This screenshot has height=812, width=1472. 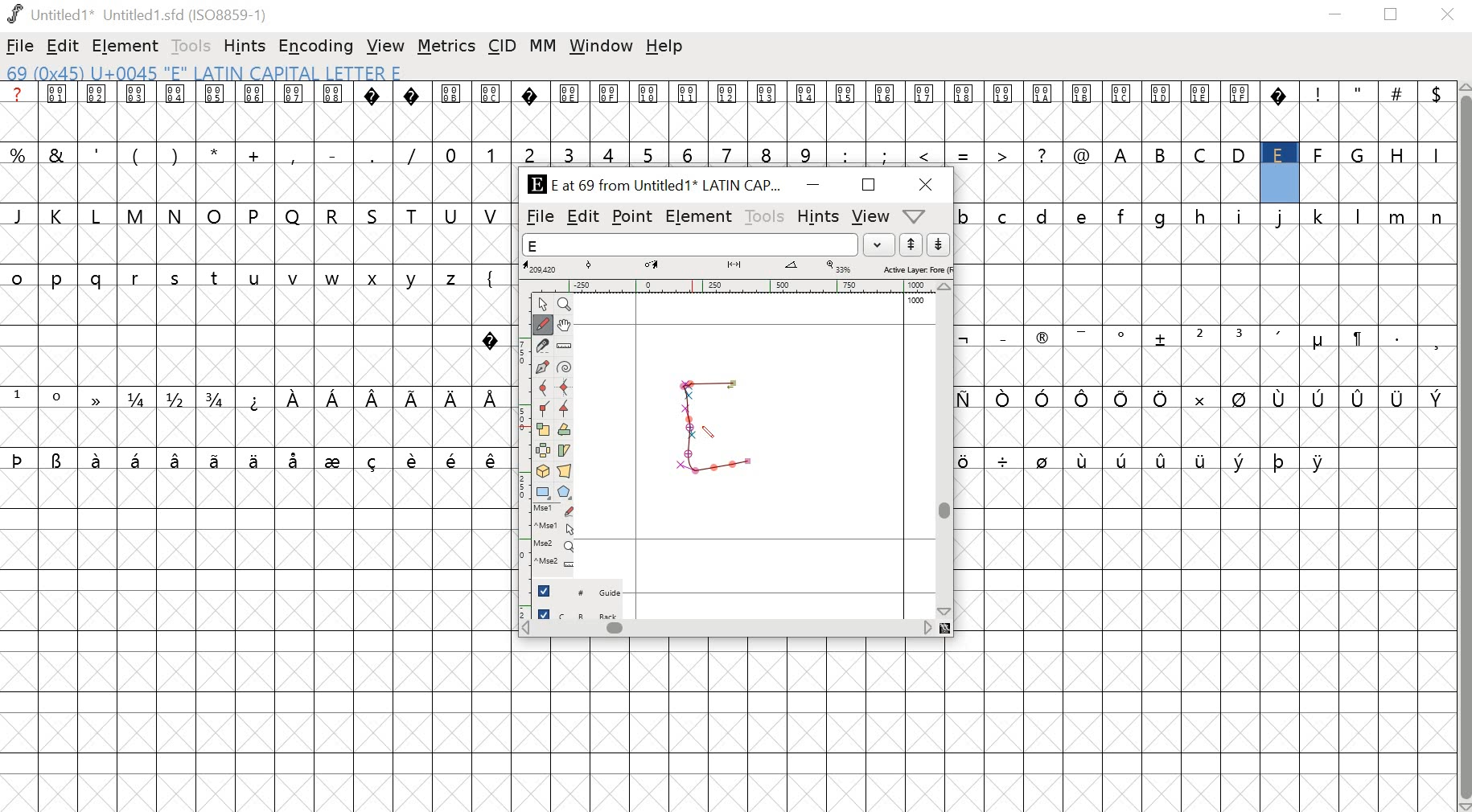 I want to click on ruler, so click(x=731, y=285).